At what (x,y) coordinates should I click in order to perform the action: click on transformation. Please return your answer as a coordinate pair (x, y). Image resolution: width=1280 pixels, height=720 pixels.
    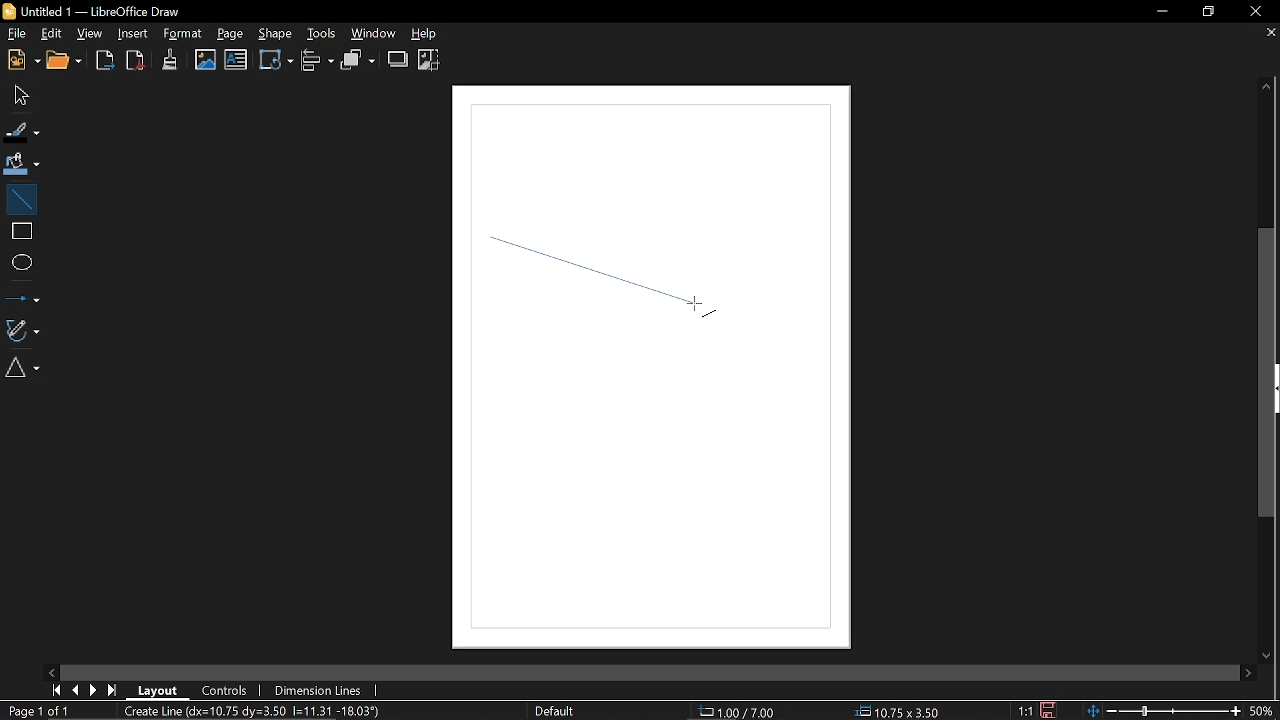
    Looking at the image, I should click on (274, 62).